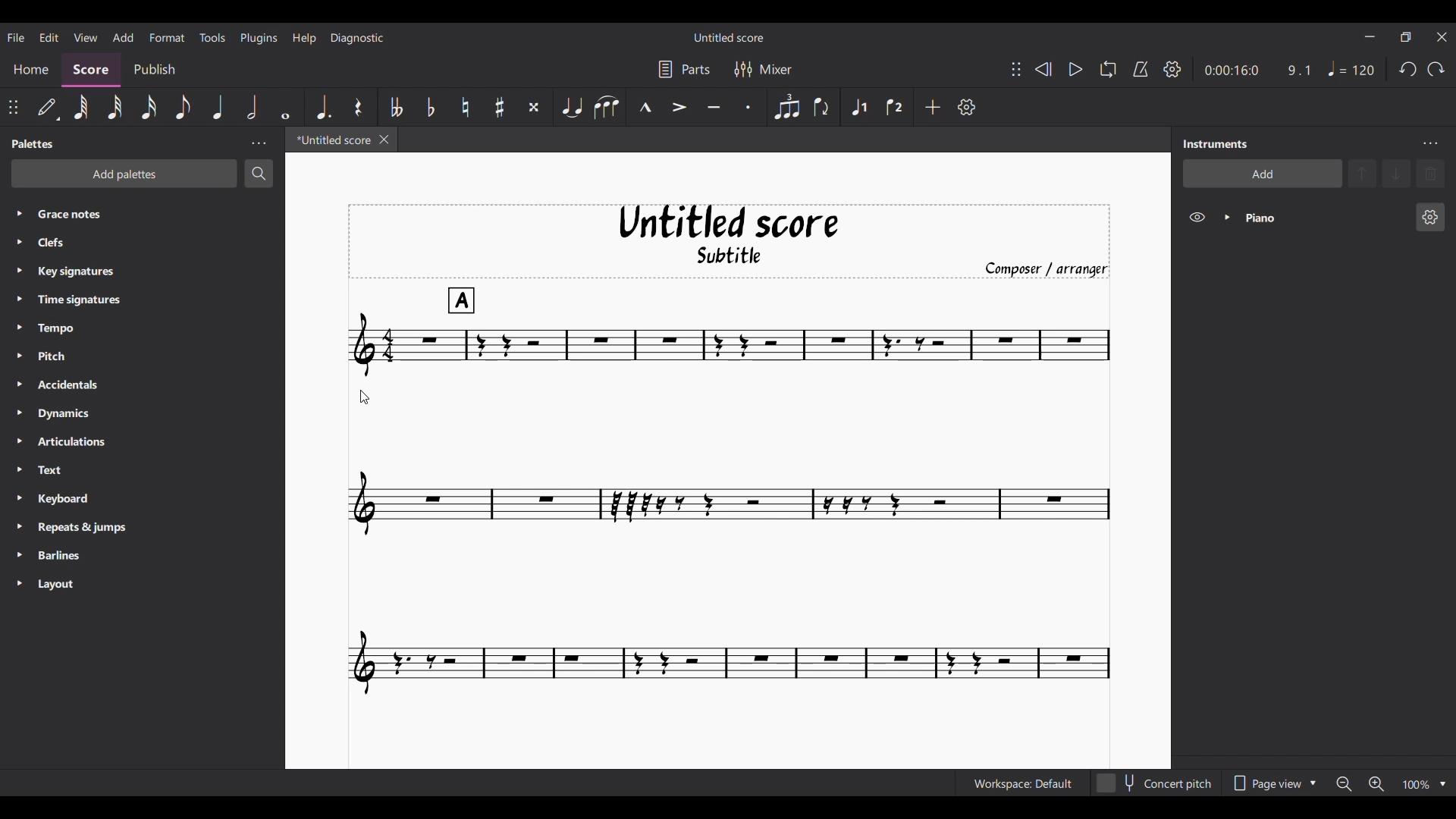 Image resolution: width=1456 pixels, height=819 pixels. Describe the element at coordinates (1273, 783) in the screenshot. I see `Page view options` at that location.